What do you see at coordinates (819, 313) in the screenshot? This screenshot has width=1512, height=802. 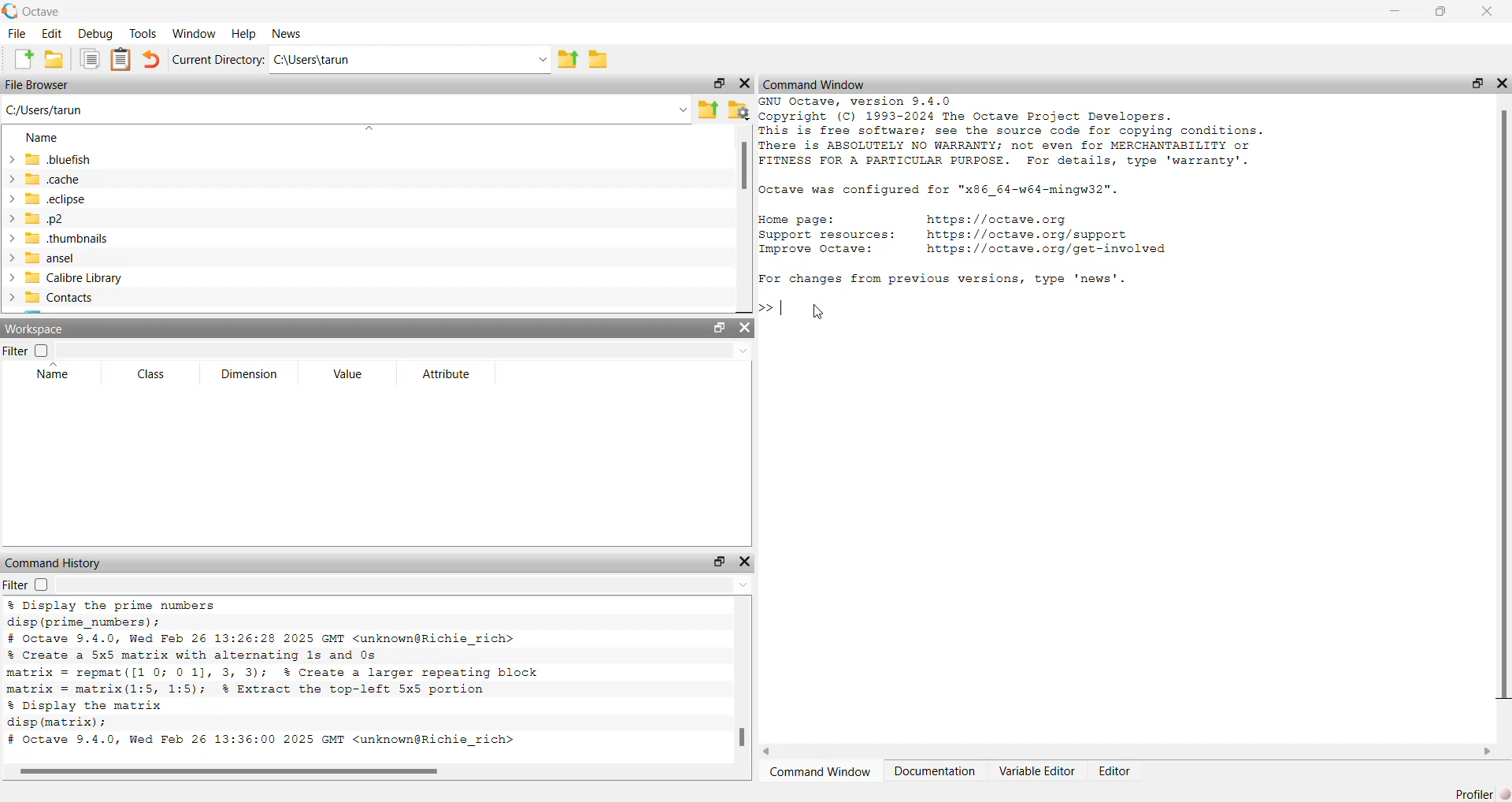 I see `cursor` at bounding box center [819, 313].